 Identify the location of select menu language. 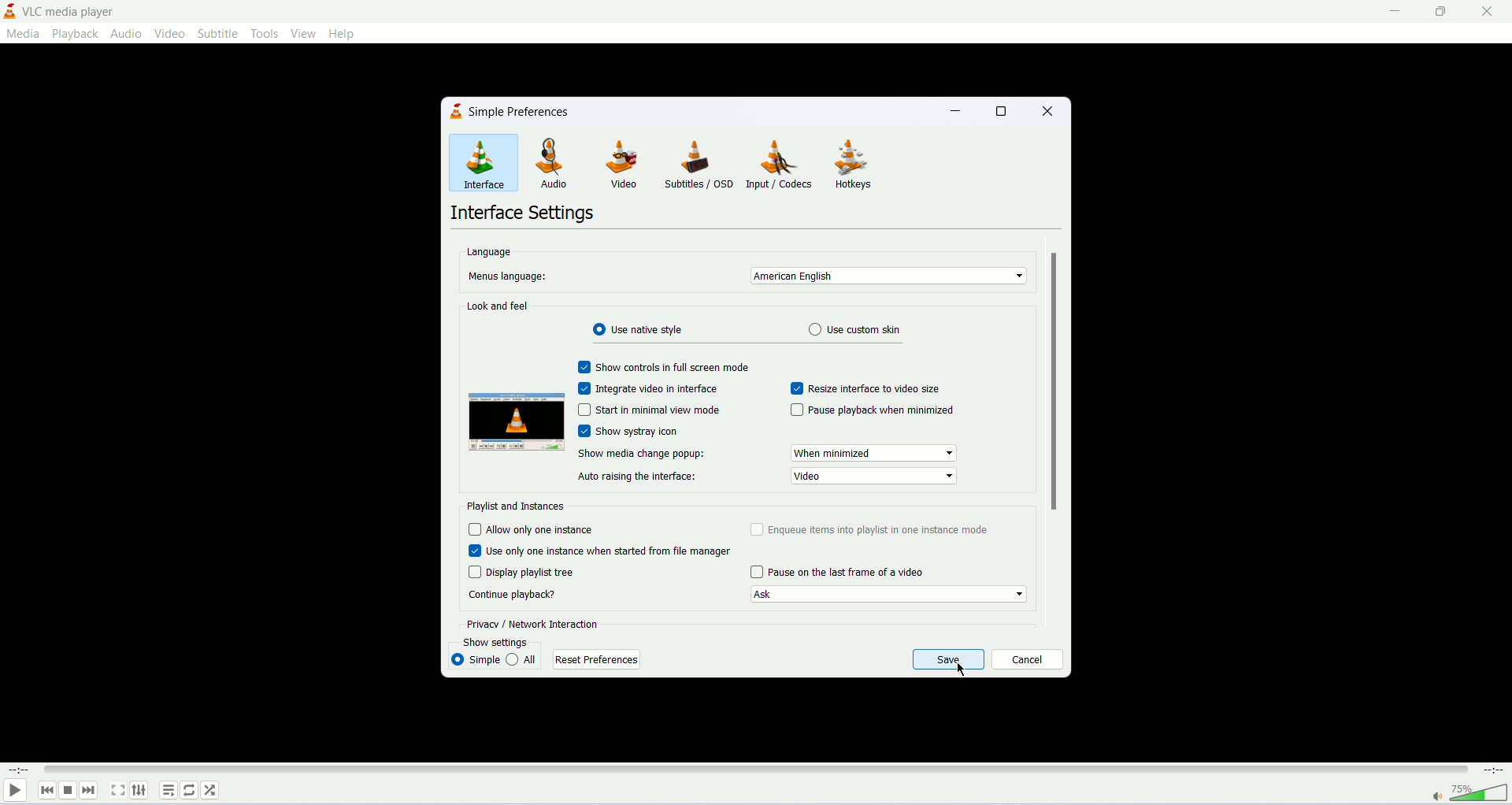
(888, 276).